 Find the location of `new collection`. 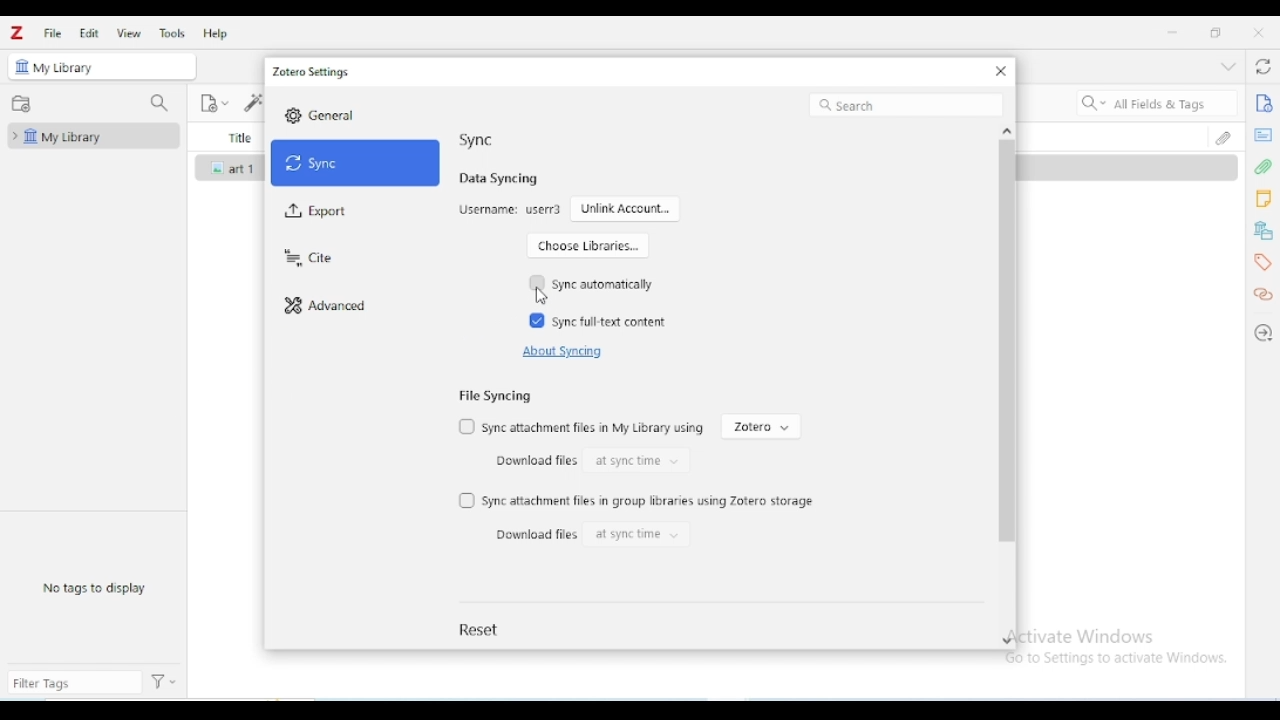

new collection is located at coordinates (21, 104).